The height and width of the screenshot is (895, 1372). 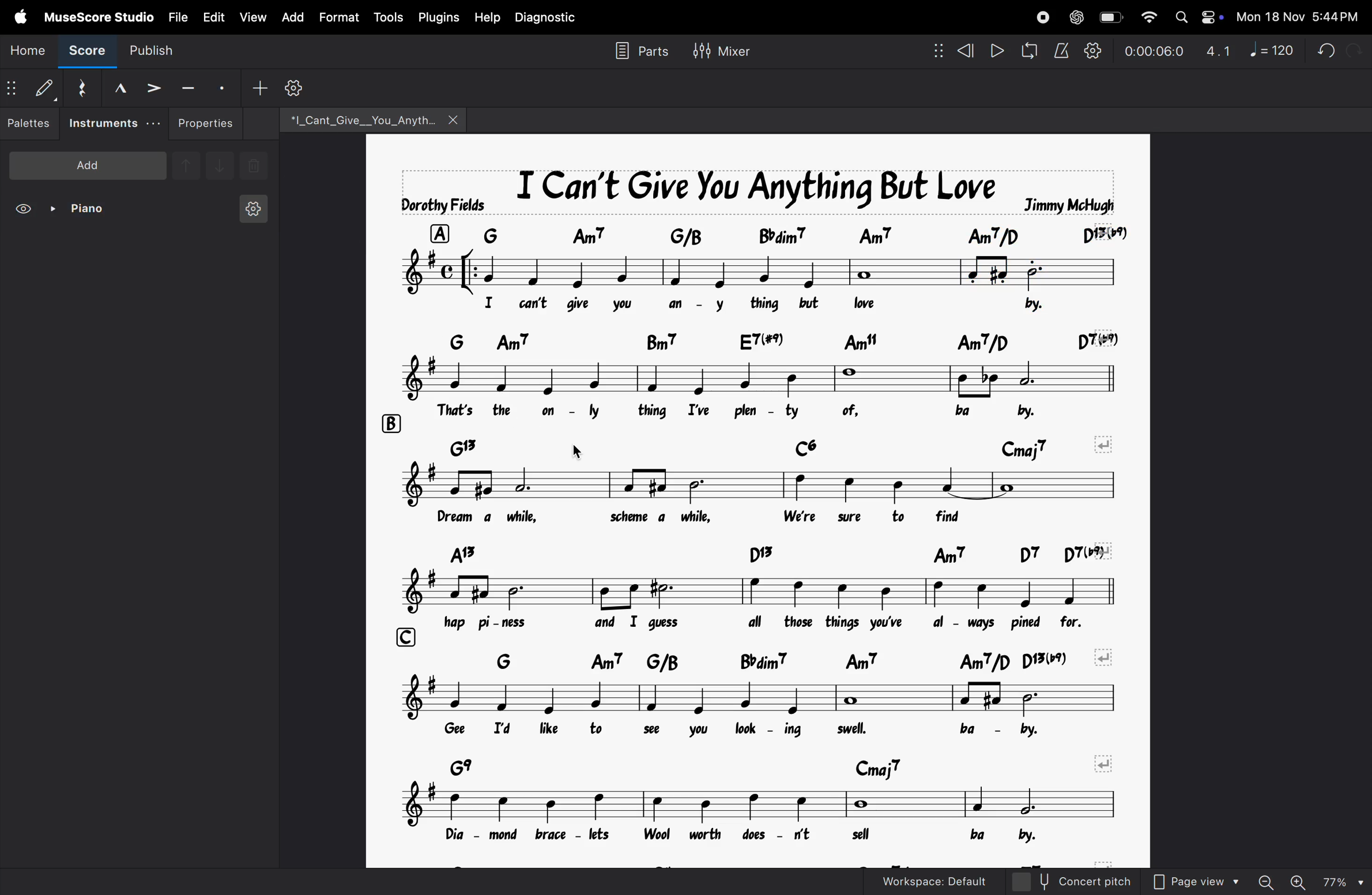 What do you see at coordinates (25, 52) in the screenshot?
I see `home` at bounding box center [25, 52].